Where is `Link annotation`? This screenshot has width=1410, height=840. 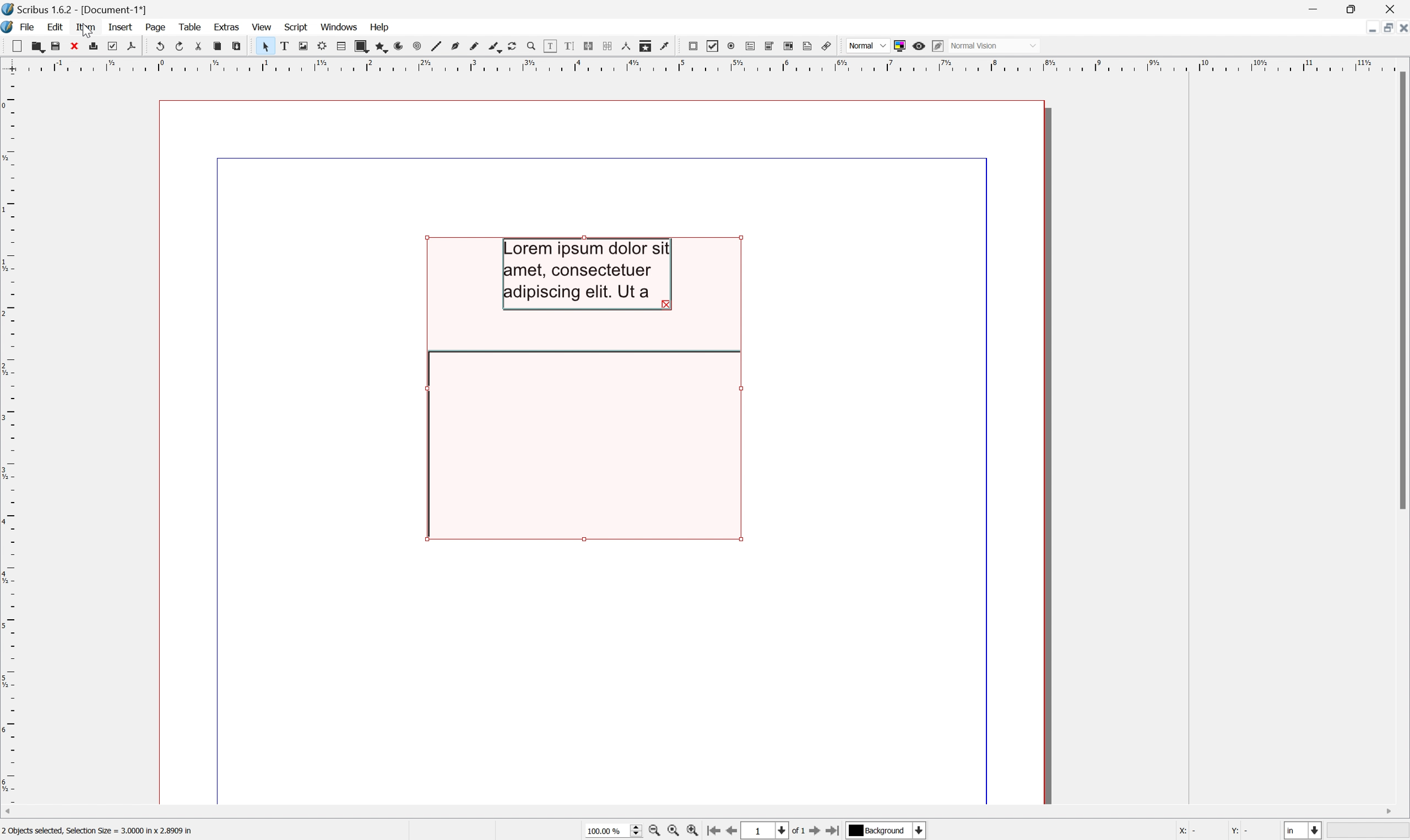 Link annotation is located at coordinates (830, 47).